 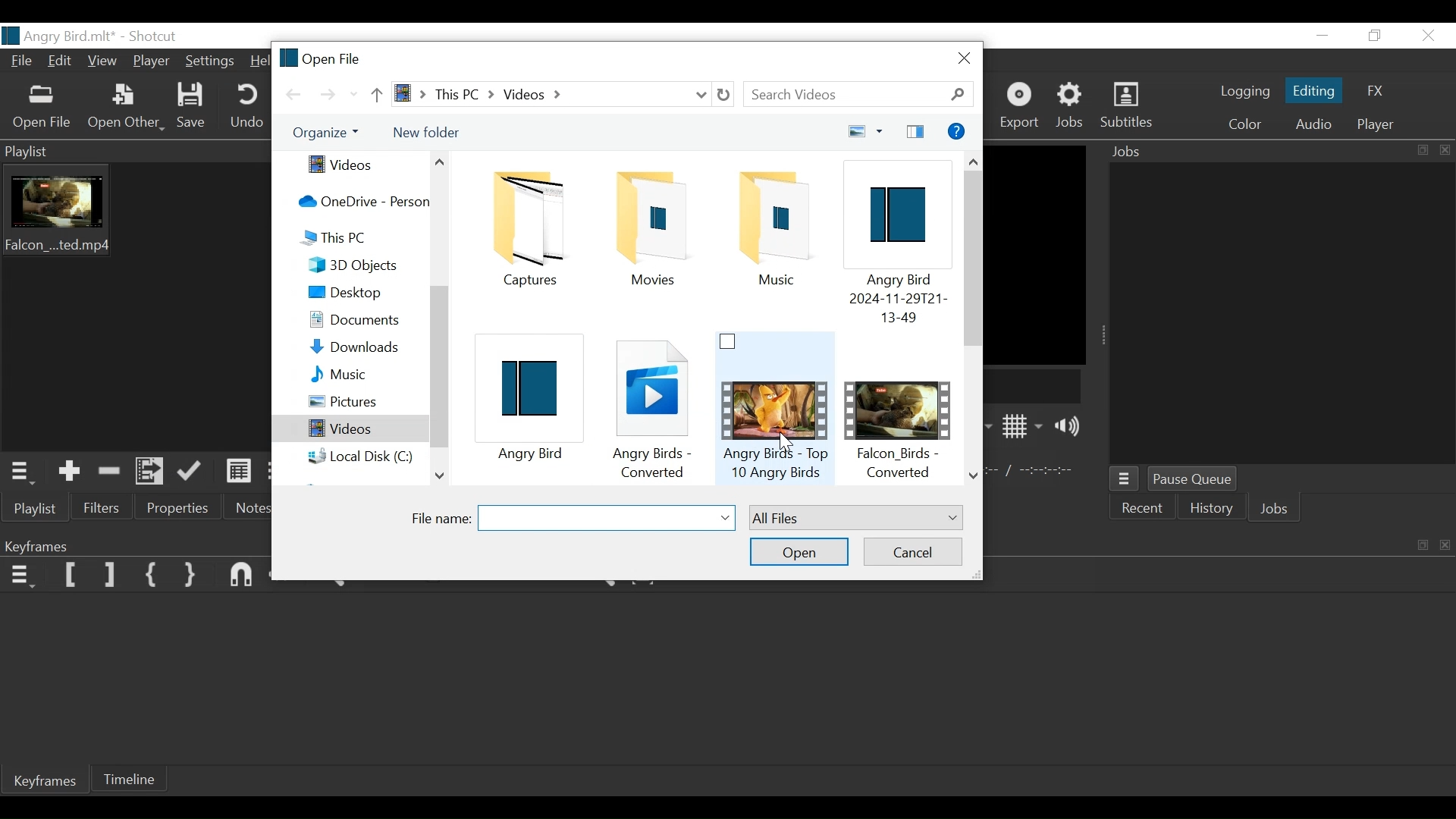 What do you see at coordinates (152, 574) in the screenshot?
I see `Set First Simple keyframe` at bounding box center [152, 574].